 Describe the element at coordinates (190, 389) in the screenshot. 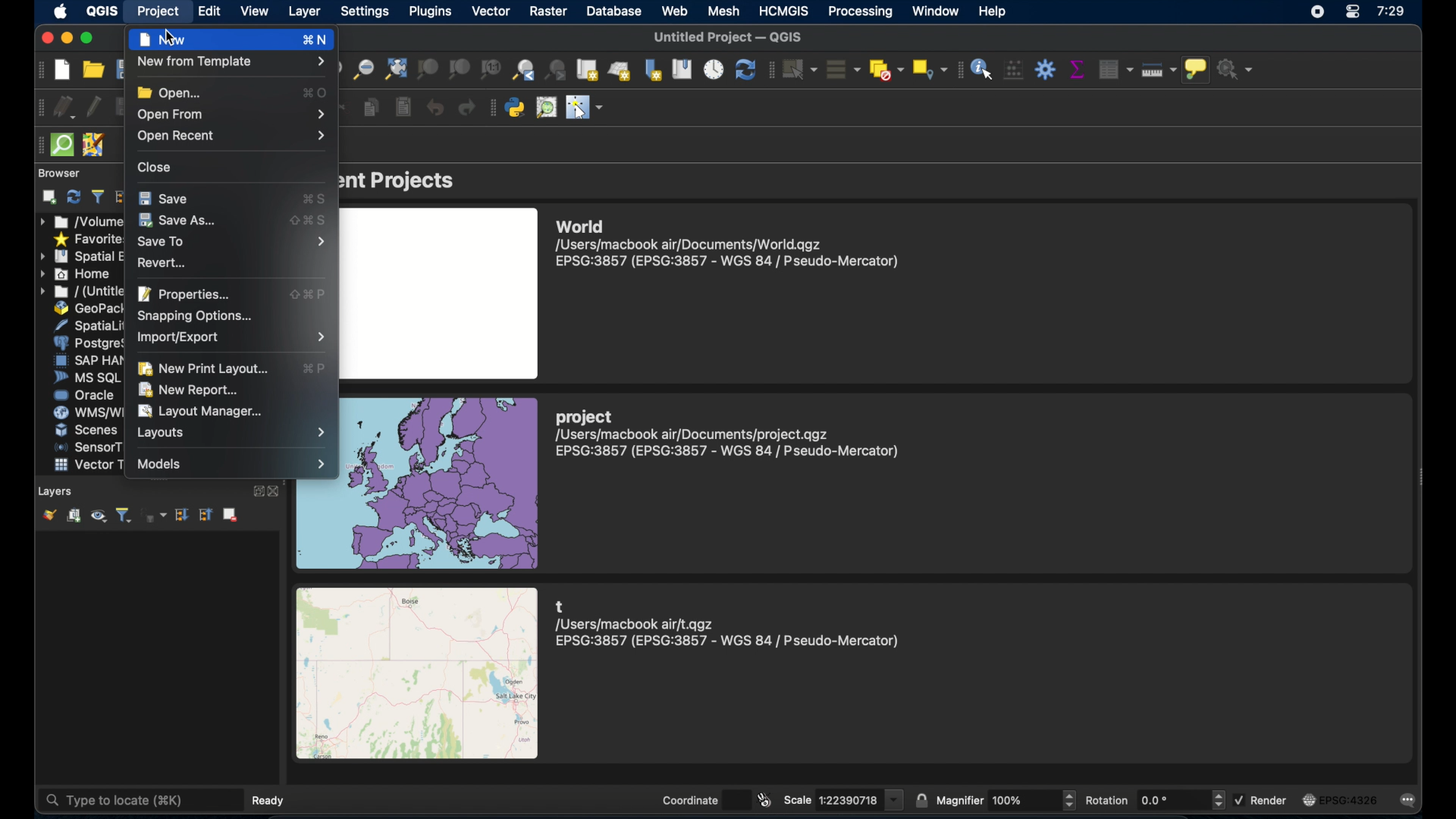

I see `new report` at that location.